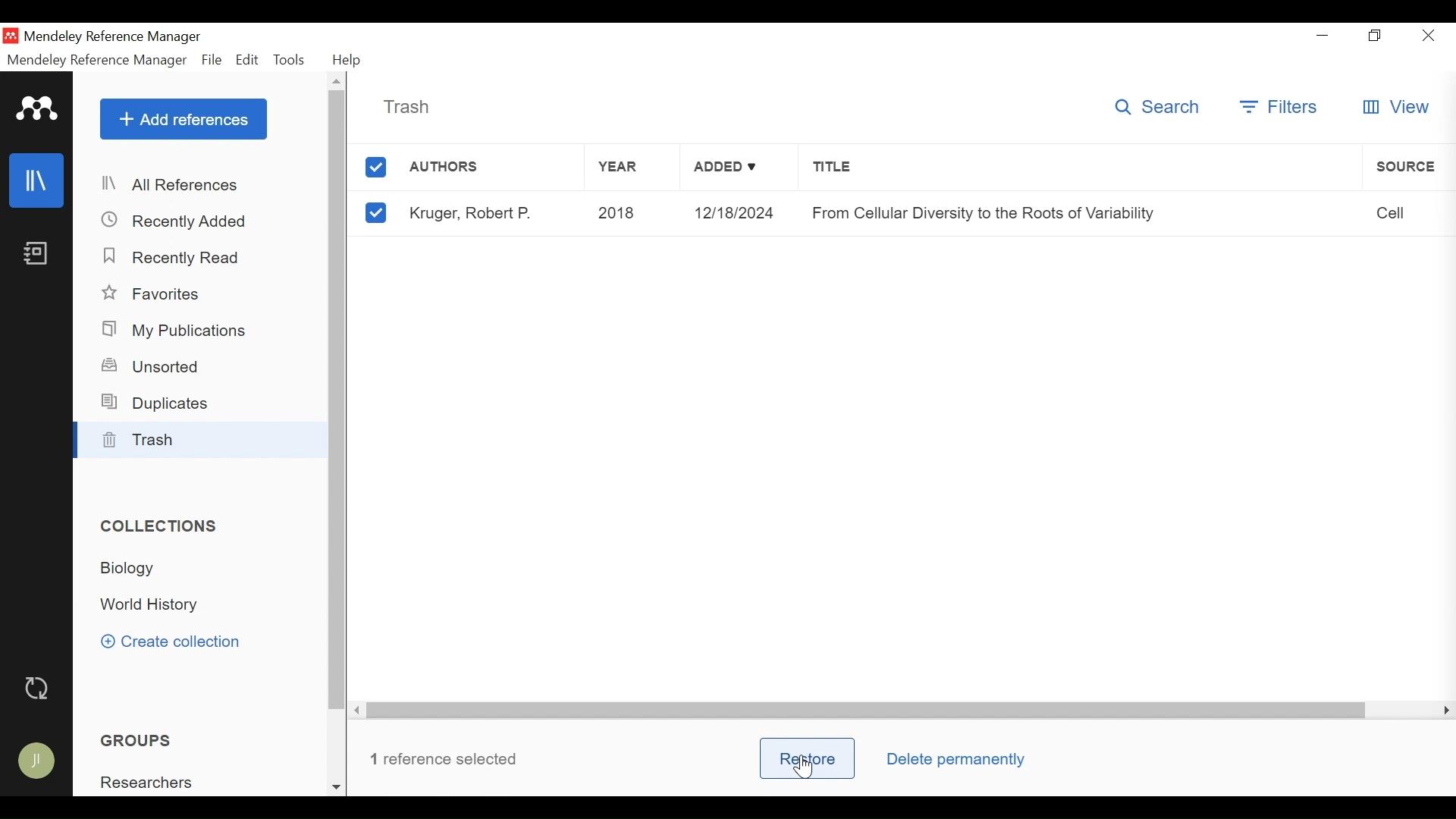  I want to click on Library, so click(38, 179).